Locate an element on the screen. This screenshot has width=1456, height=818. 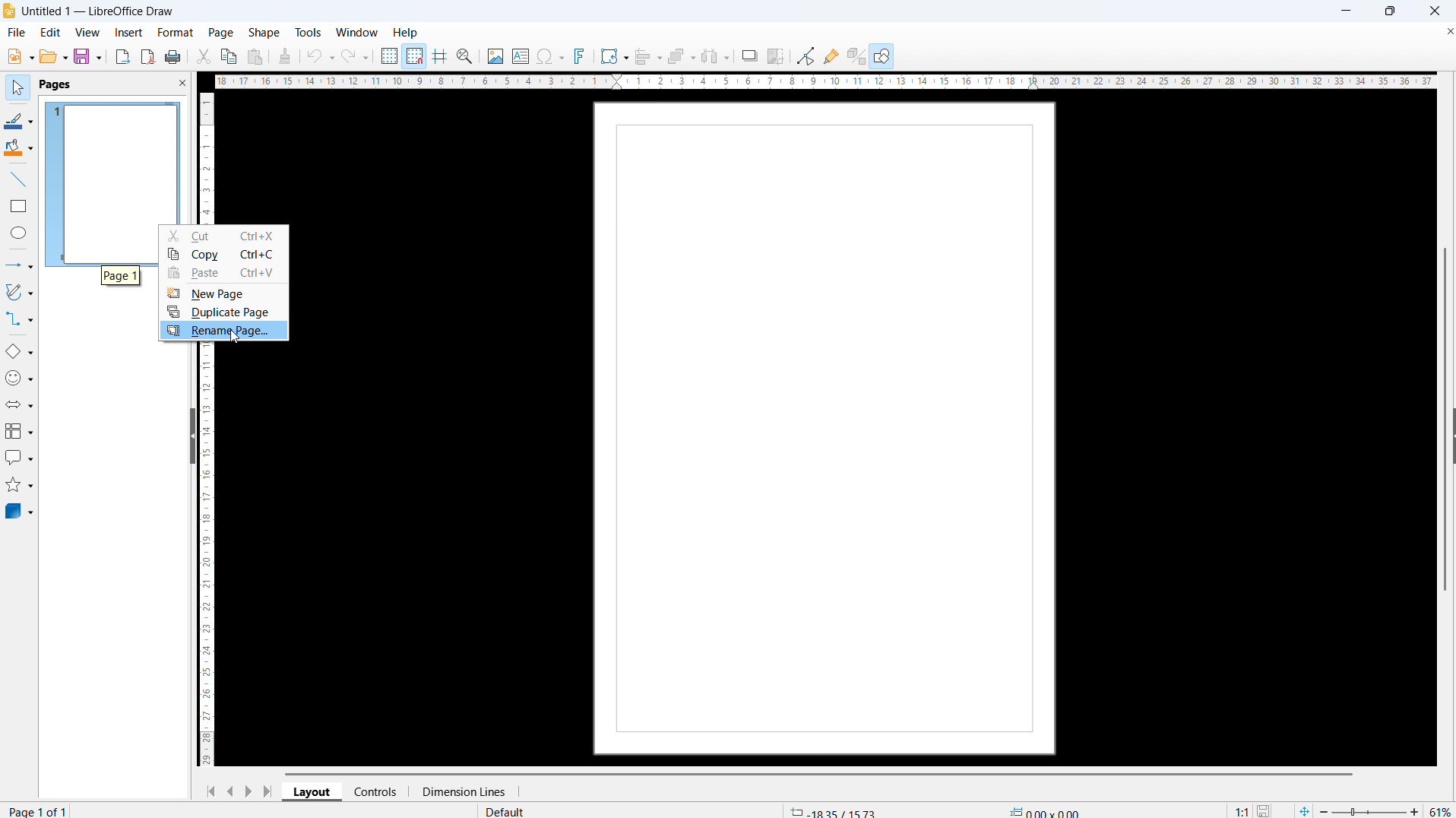
Helplines while moving  is located at coordinates (440, 55).